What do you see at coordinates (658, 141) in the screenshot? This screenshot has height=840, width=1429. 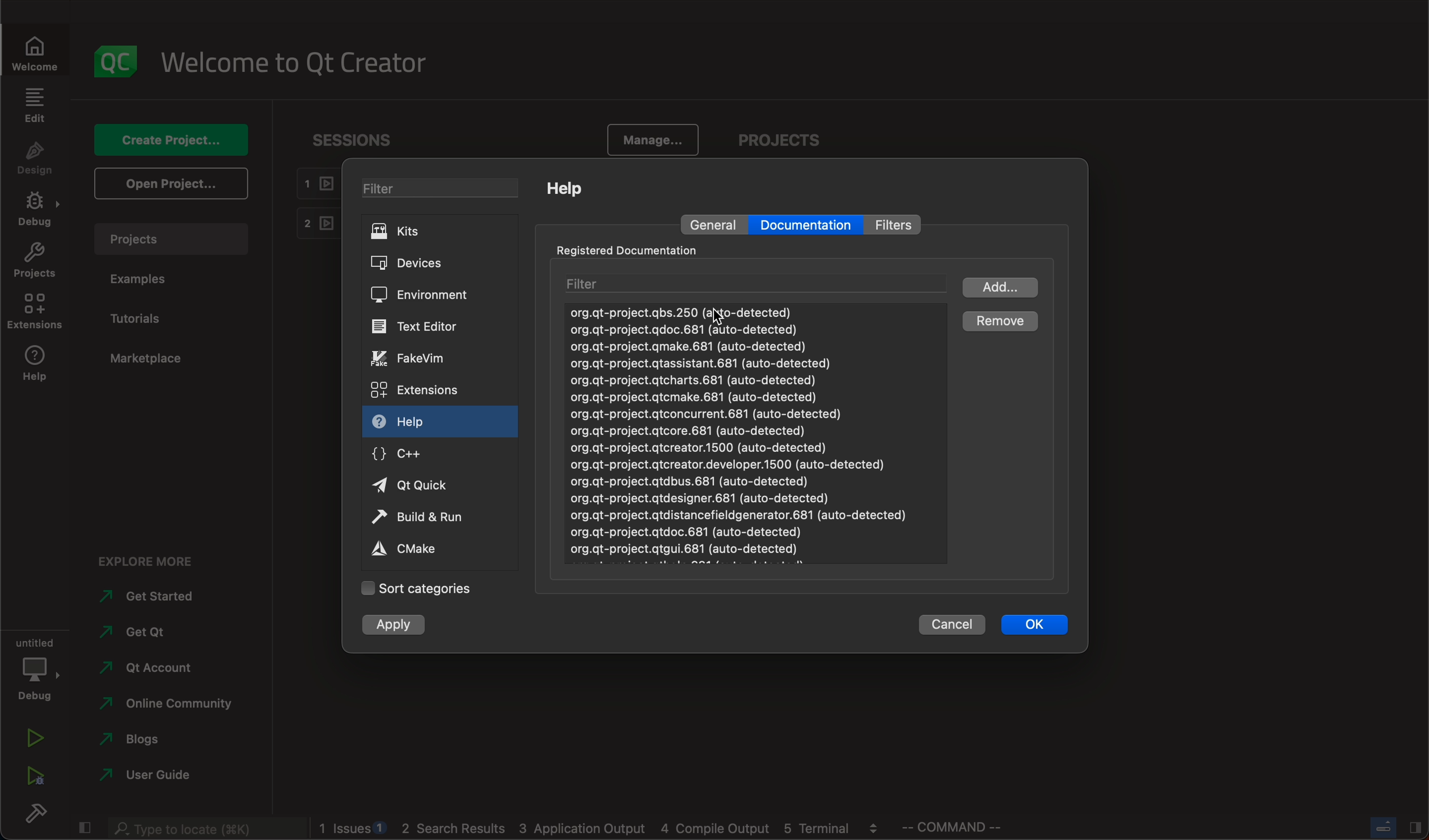 I see `manage` at bounding box center [658, 141].